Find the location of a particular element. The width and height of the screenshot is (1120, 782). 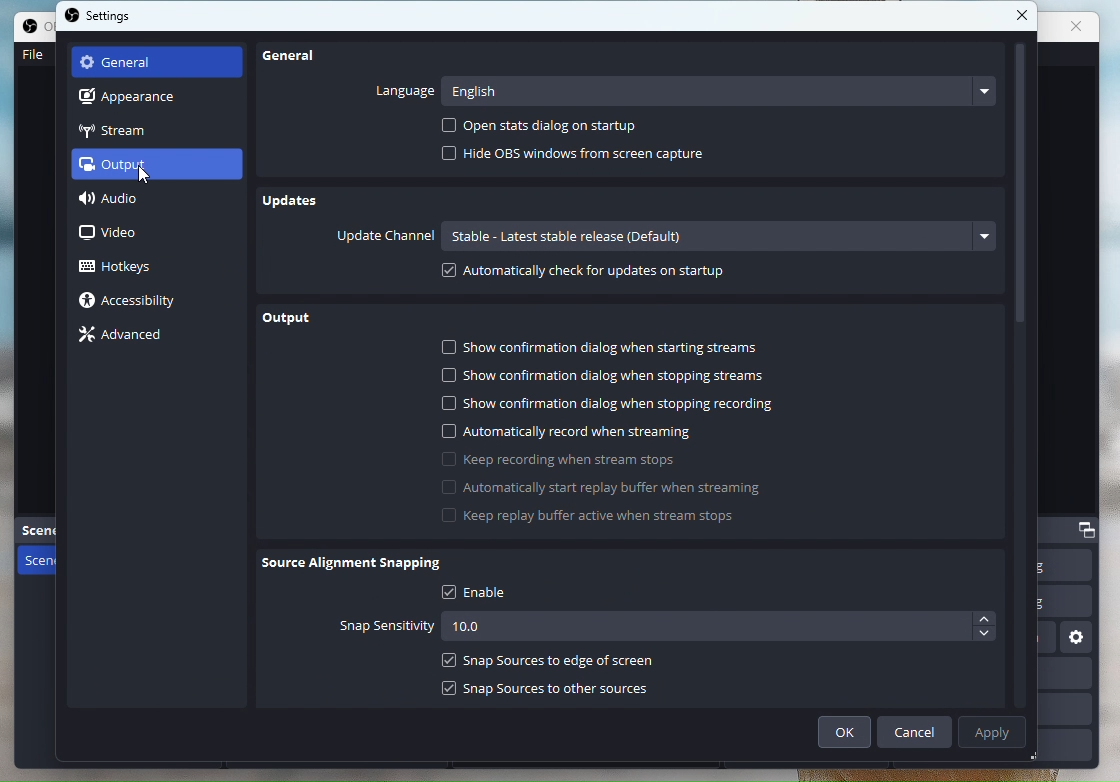

Output is located at coordinates (295, 318).